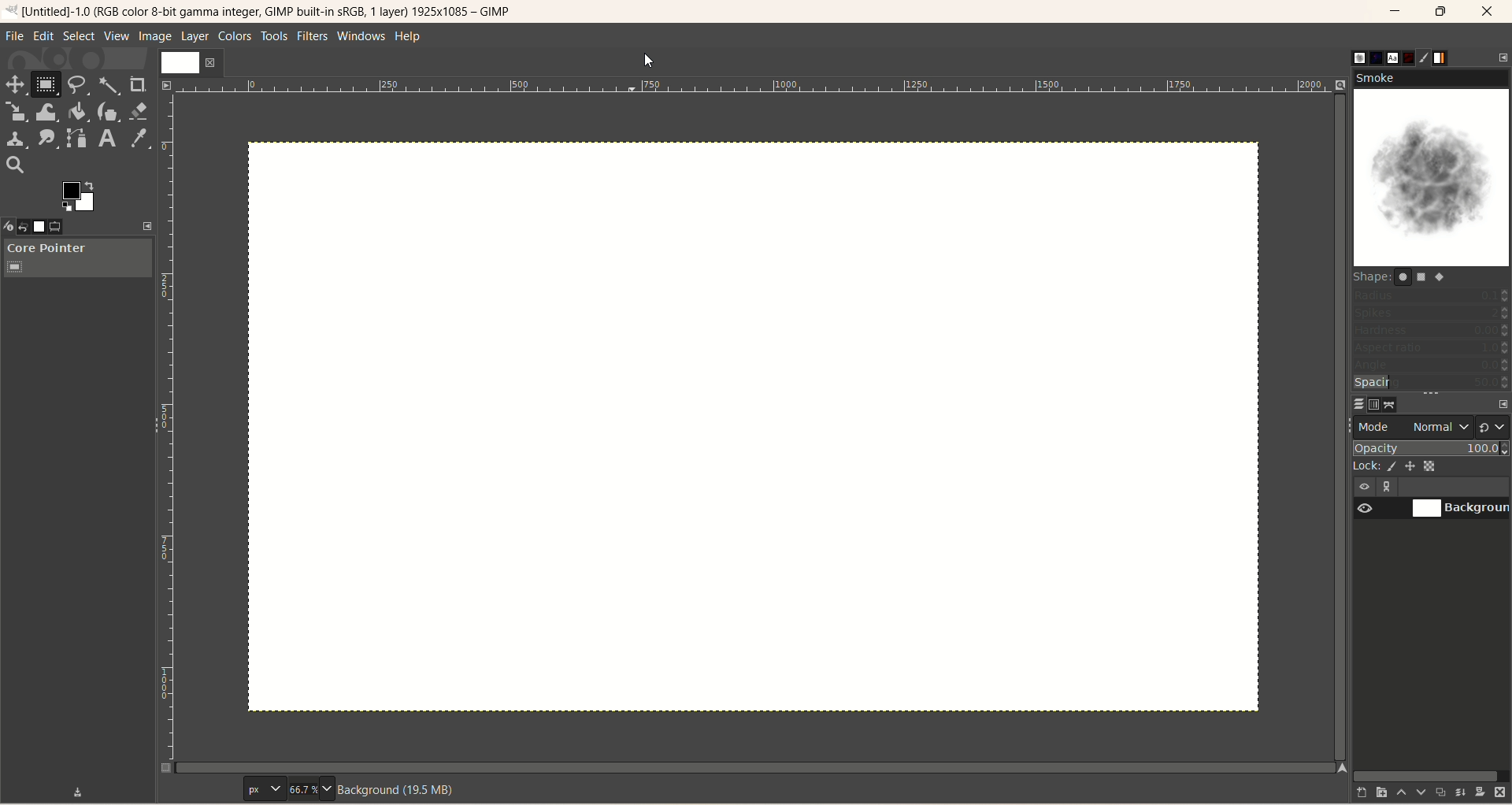  Describe the element at coordinates (16, 86) in the screenshot. I see `move tool` at that location.